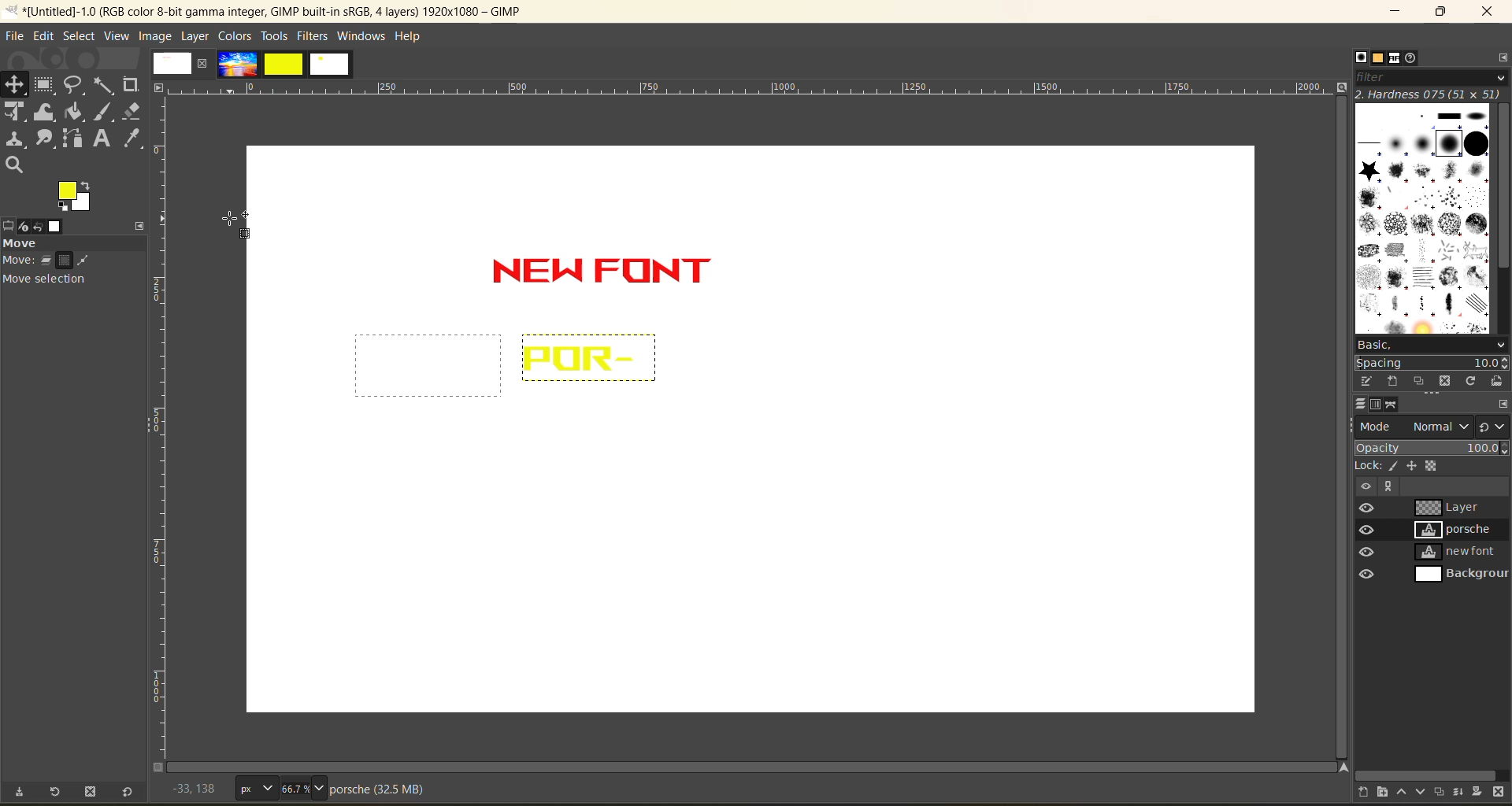 This screenshot has width=1512, height=806. Describe the element at coordinates (1399, 405) in the screenshot. I see `paths` at that location.